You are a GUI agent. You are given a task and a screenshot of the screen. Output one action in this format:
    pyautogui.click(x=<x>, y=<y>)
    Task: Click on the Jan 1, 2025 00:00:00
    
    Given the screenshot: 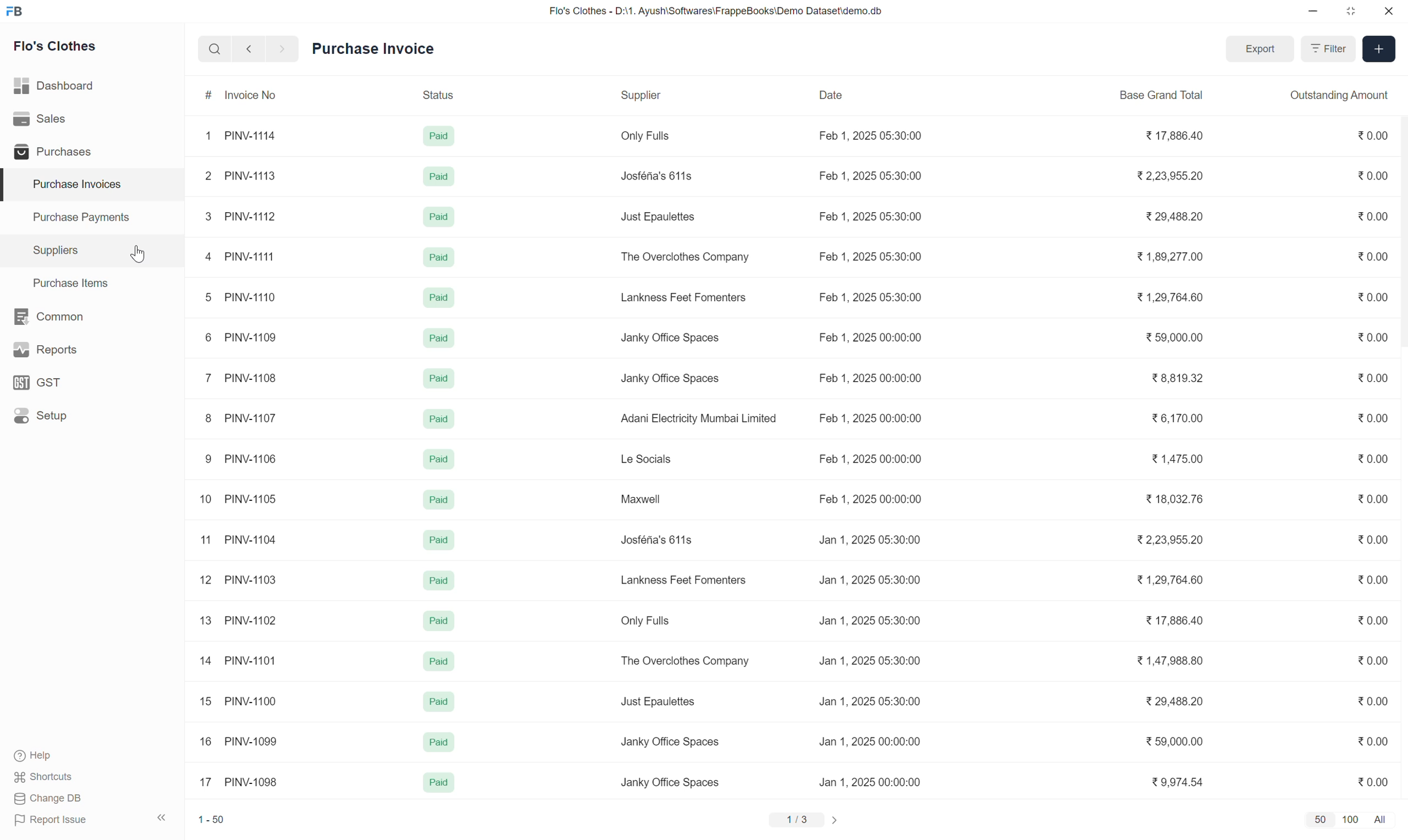 What is the action you would take?
    pyautogui.click(x=873, y=782)
    